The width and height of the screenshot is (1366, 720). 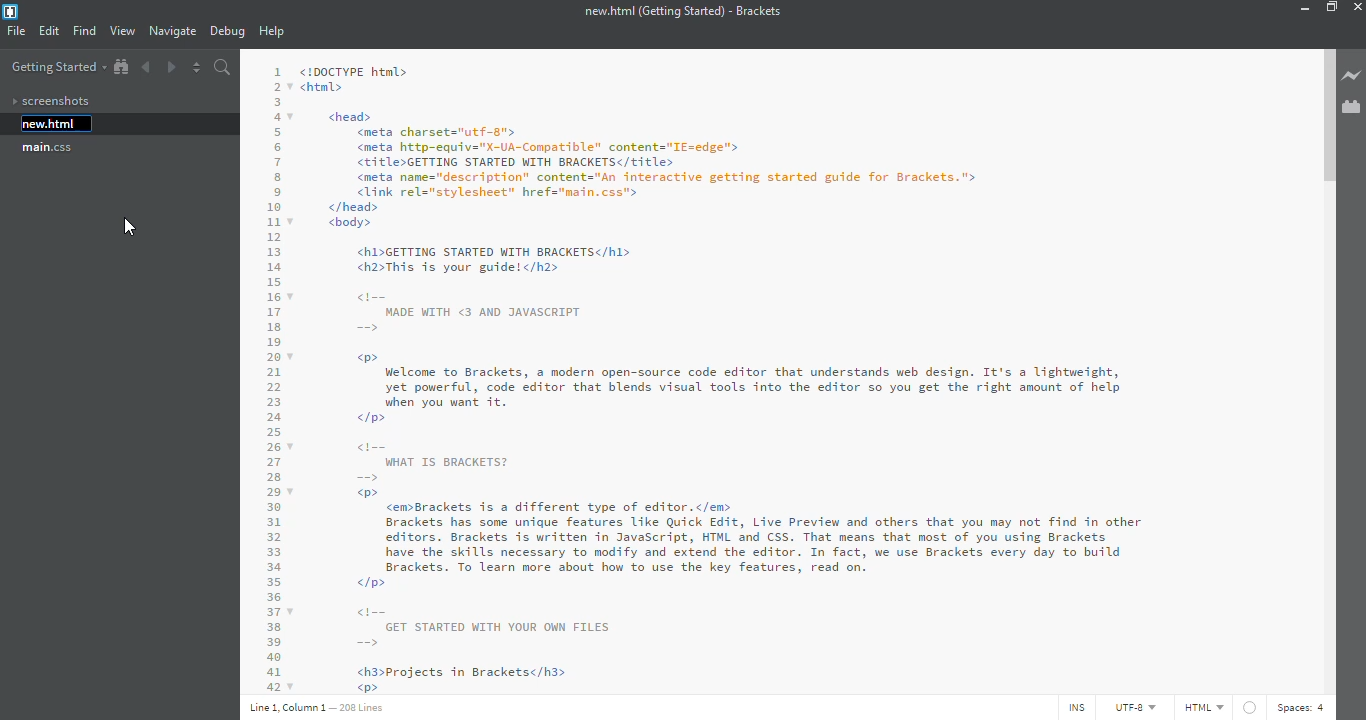 I want to click on navigate, so click(x=173, y=31).